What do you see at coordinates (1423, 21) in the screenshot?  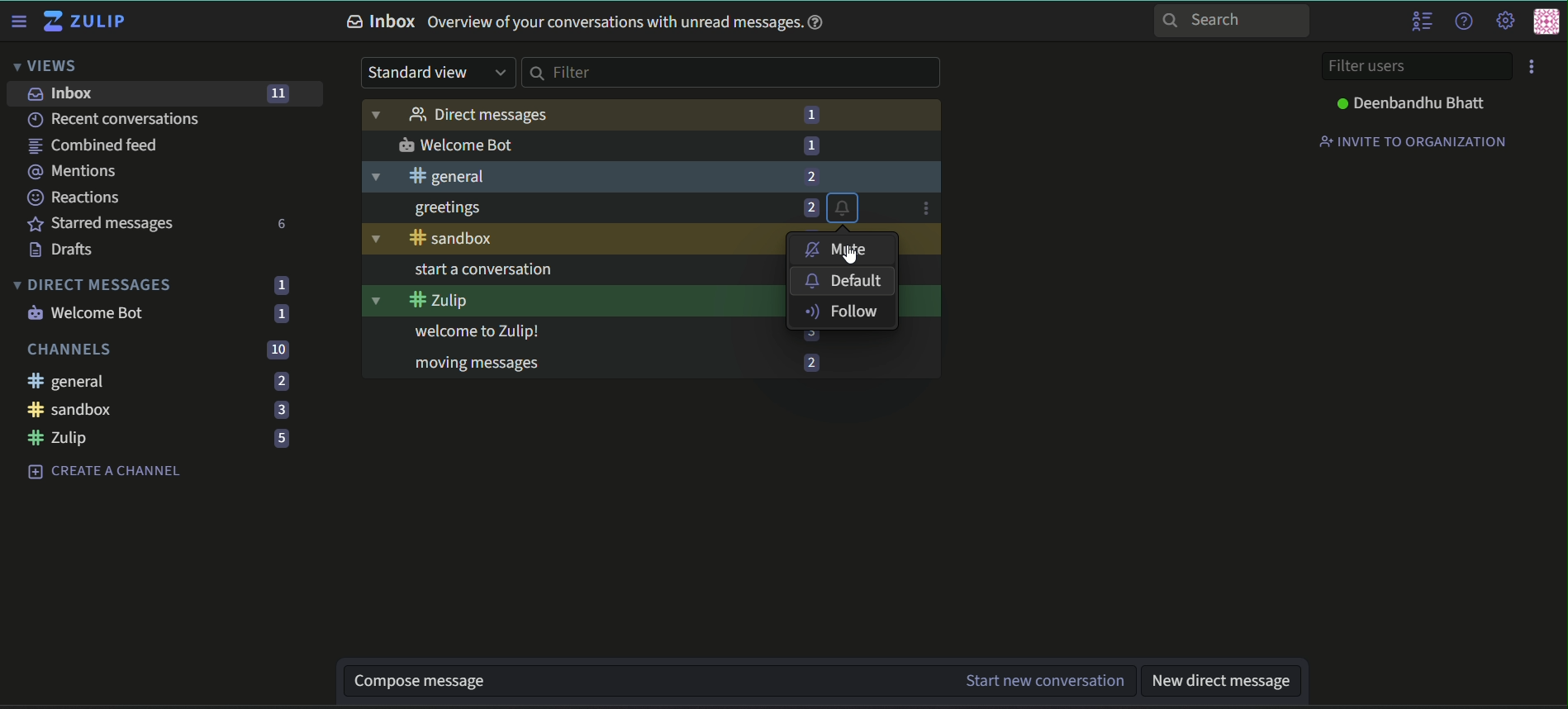 I see `hide user list` at bounding box center [1423, 21].